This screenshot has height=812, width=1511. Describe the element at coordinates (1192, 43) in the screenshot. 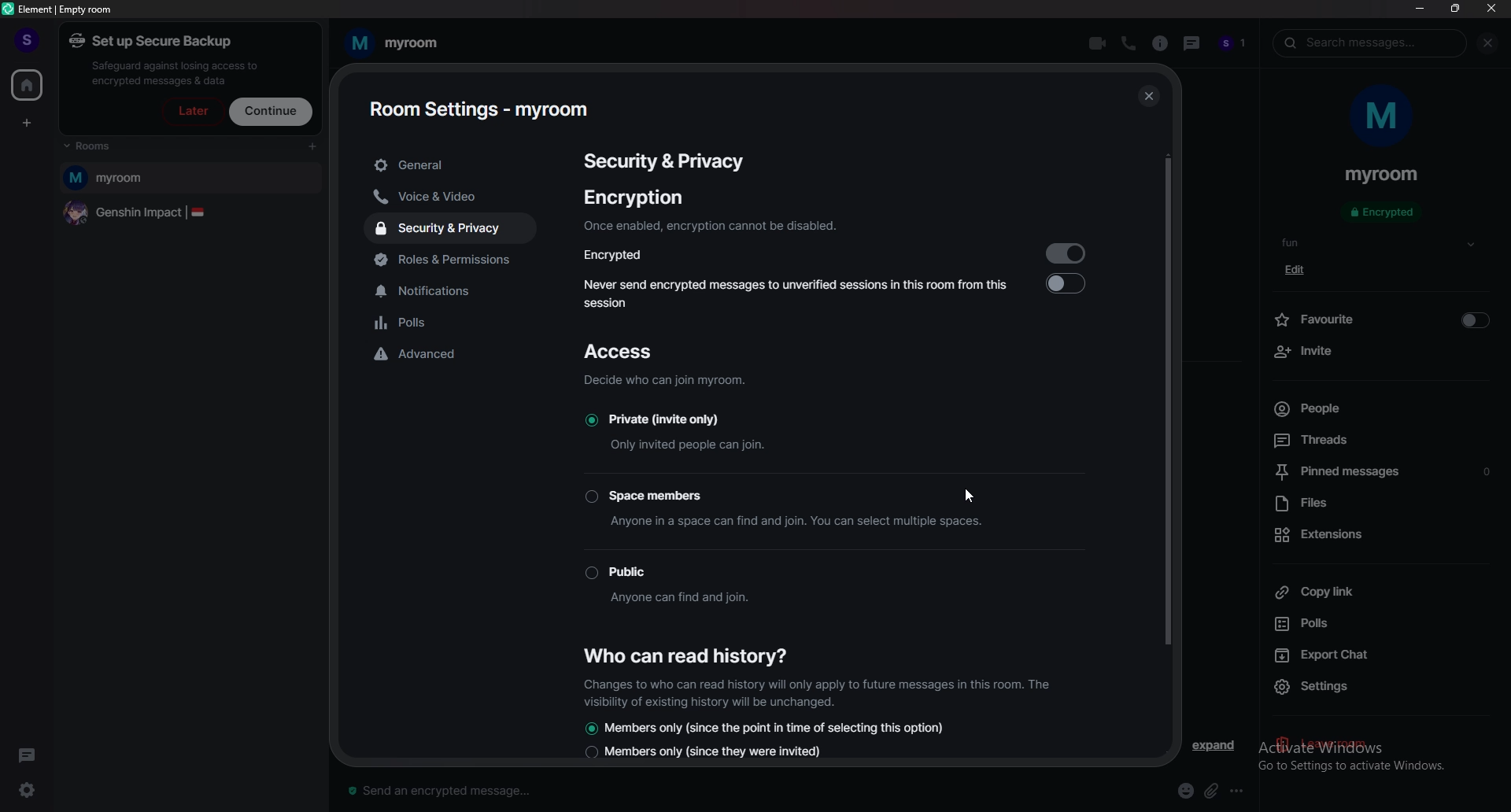

I see `threads` at that location.